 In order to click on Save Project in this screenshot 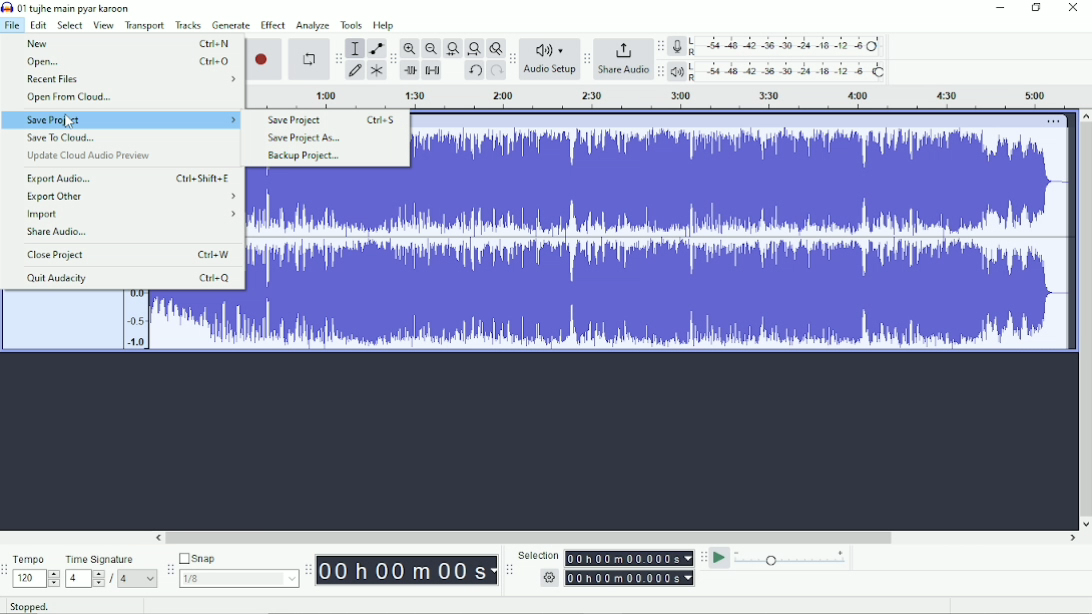, I will do `click(122, 120)`.